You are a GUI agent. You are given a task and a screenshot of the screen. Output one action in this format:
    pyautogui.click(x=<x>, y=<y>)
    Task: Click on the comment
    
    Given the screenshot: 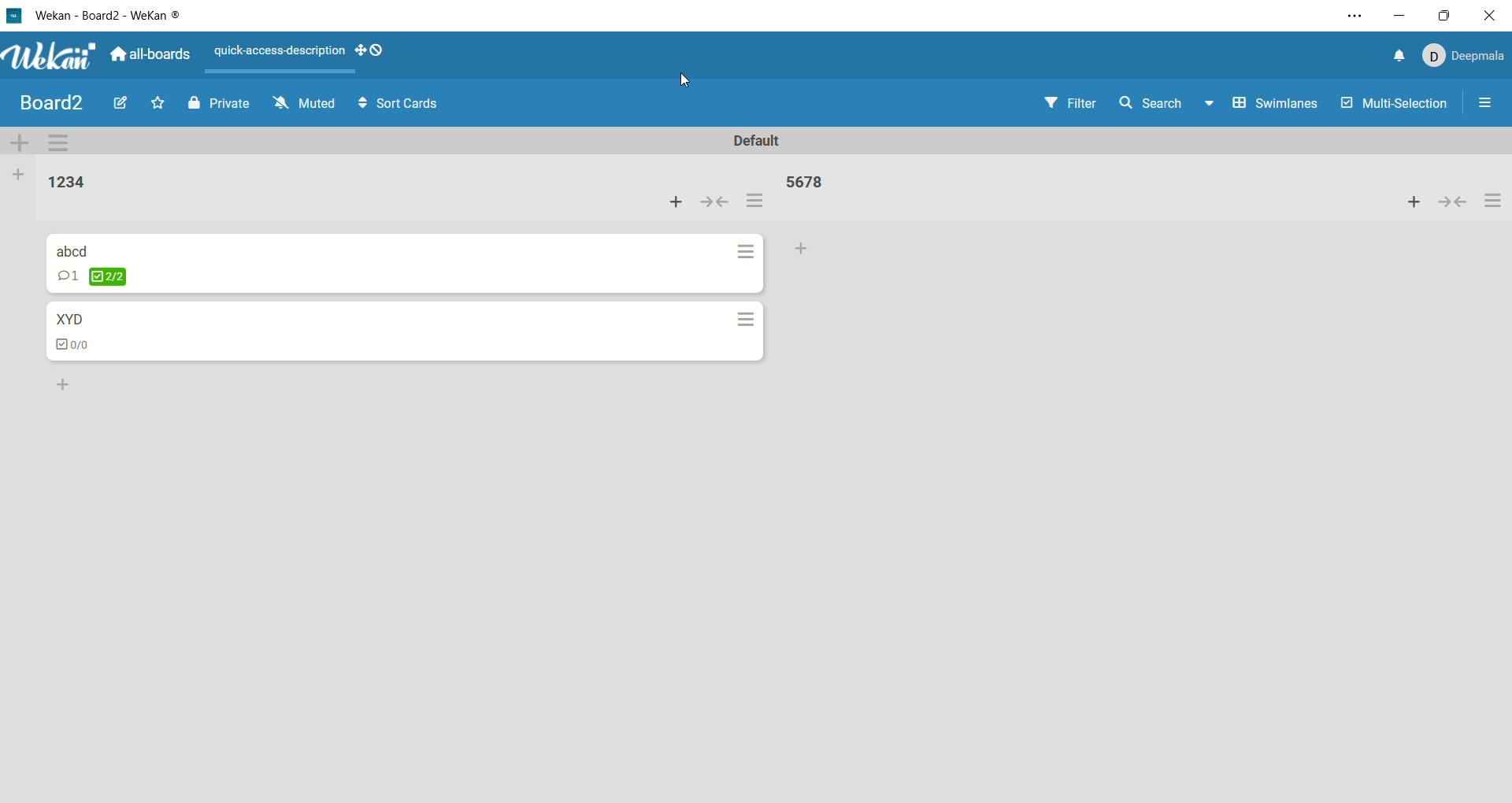 What is the action you would take?
    pyautogui.click(x=67, y=276)
    